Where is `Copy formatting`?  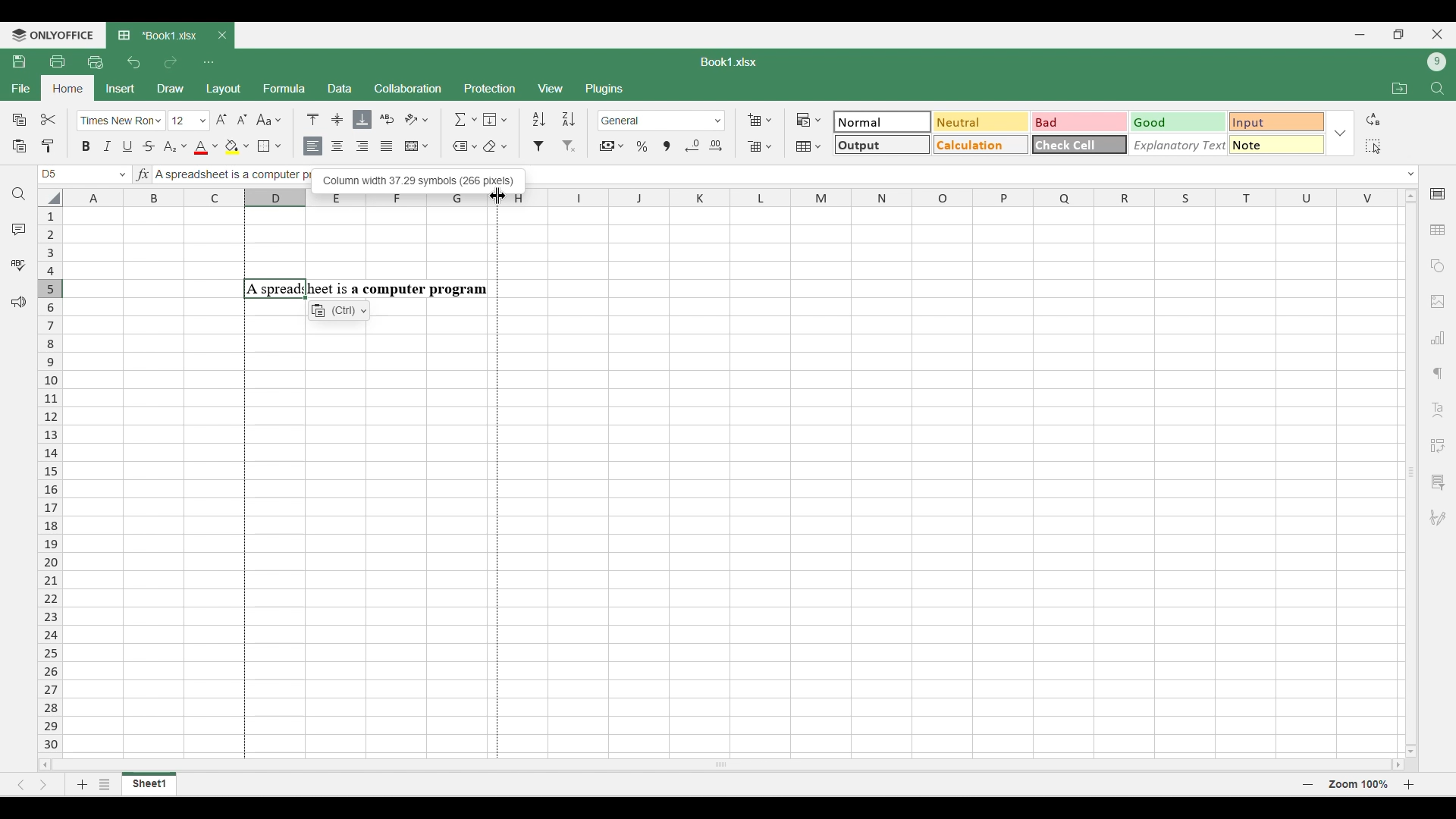 Copy formatting is located at coordinates (49, 146).